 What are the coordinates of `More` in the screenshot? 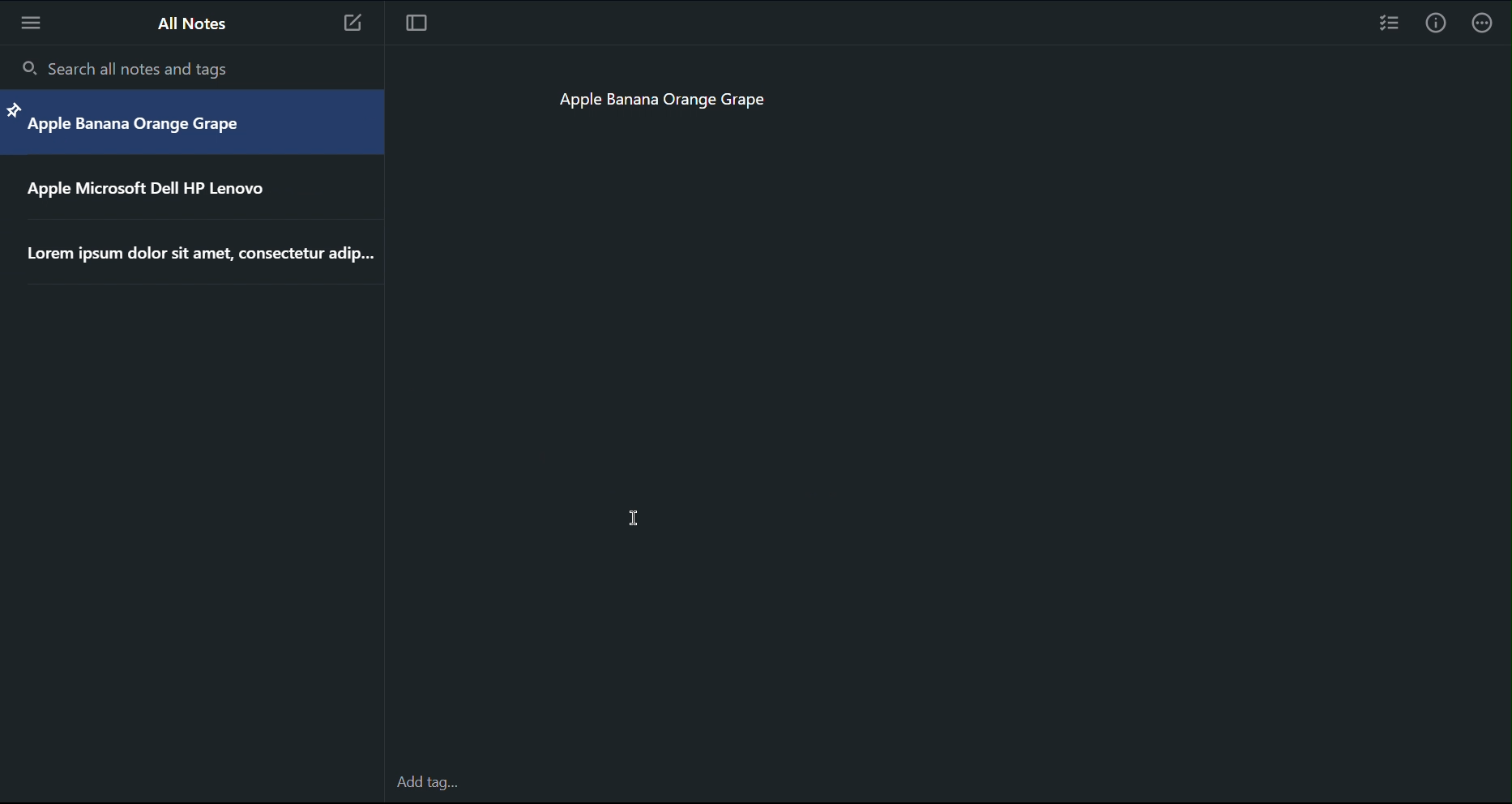 It's located at (1489, 22).